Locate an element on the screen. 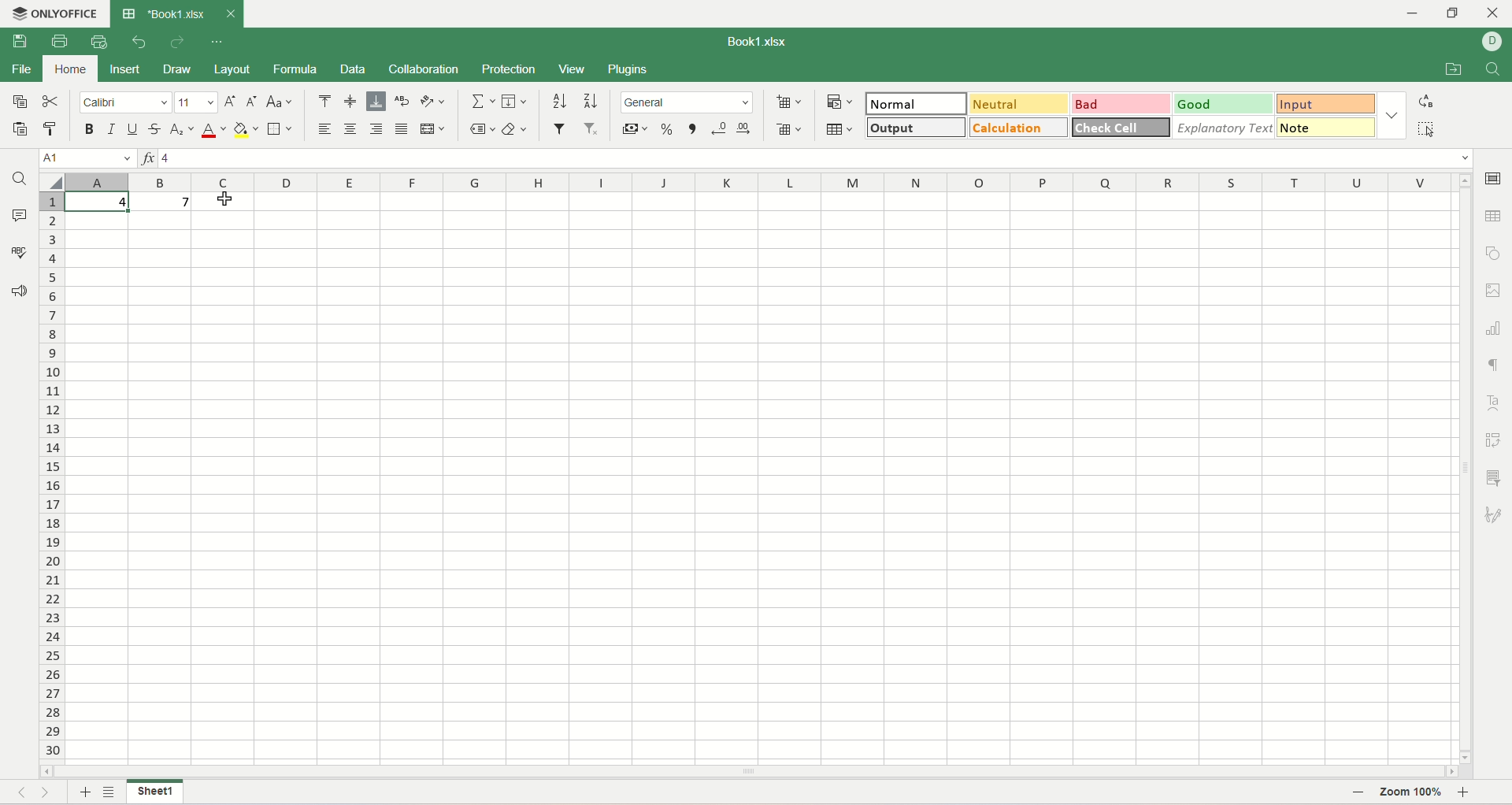  columns is located at coordinates (762, 182).